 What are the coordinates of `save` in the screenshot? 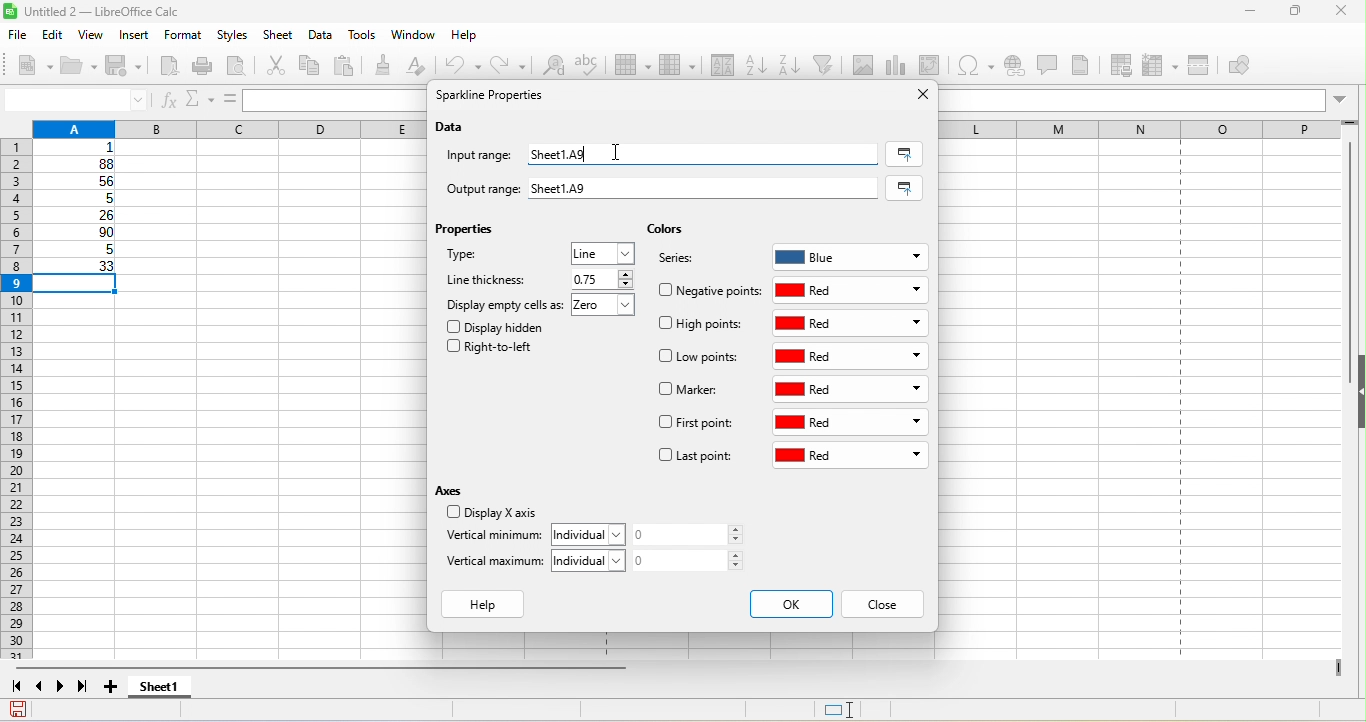 It's located at (128, 68).